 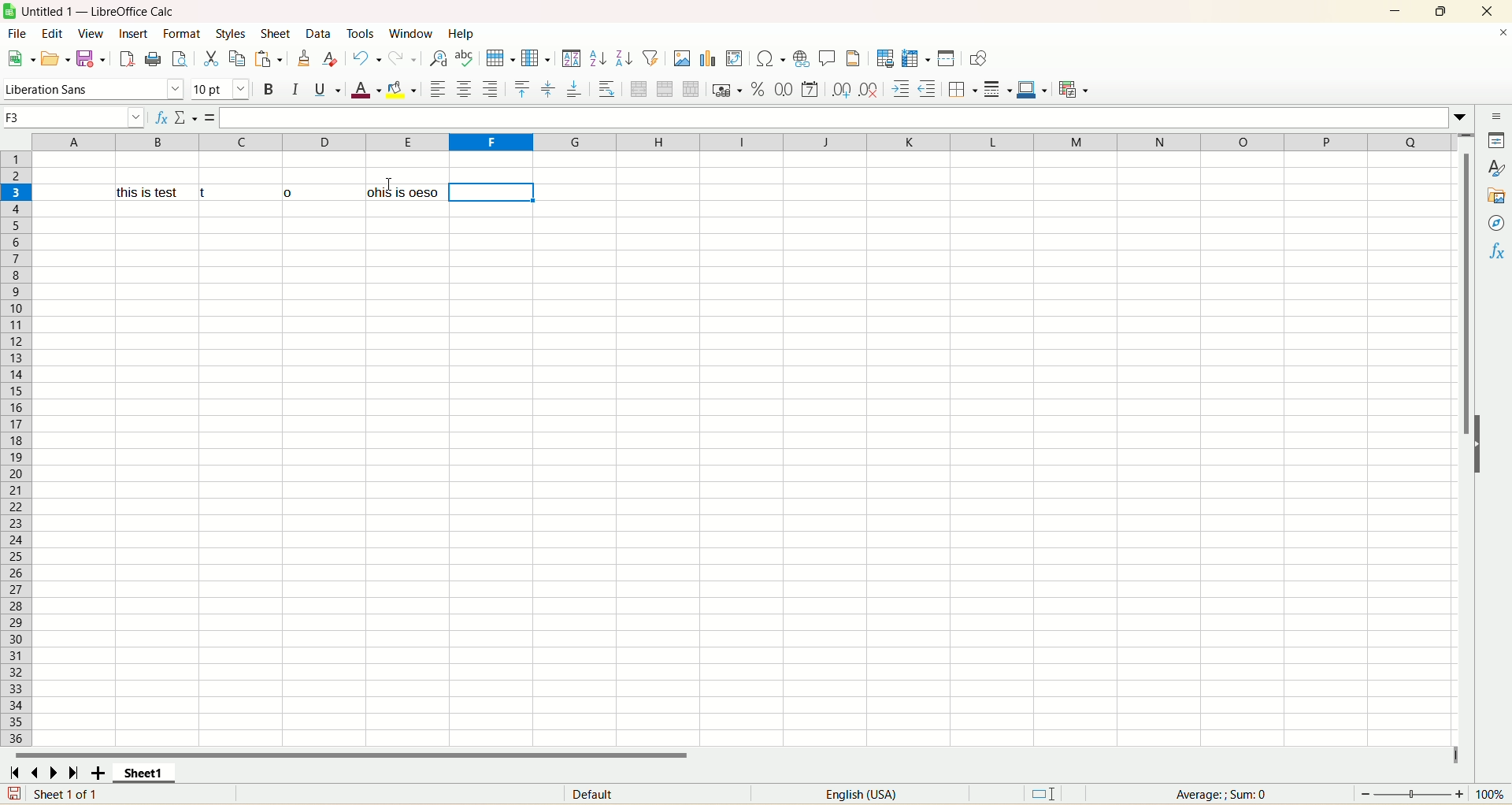 What do you see at coordinates (682, 58) in the screenshot?
I see `insert image` at bounding box center [682, 58].